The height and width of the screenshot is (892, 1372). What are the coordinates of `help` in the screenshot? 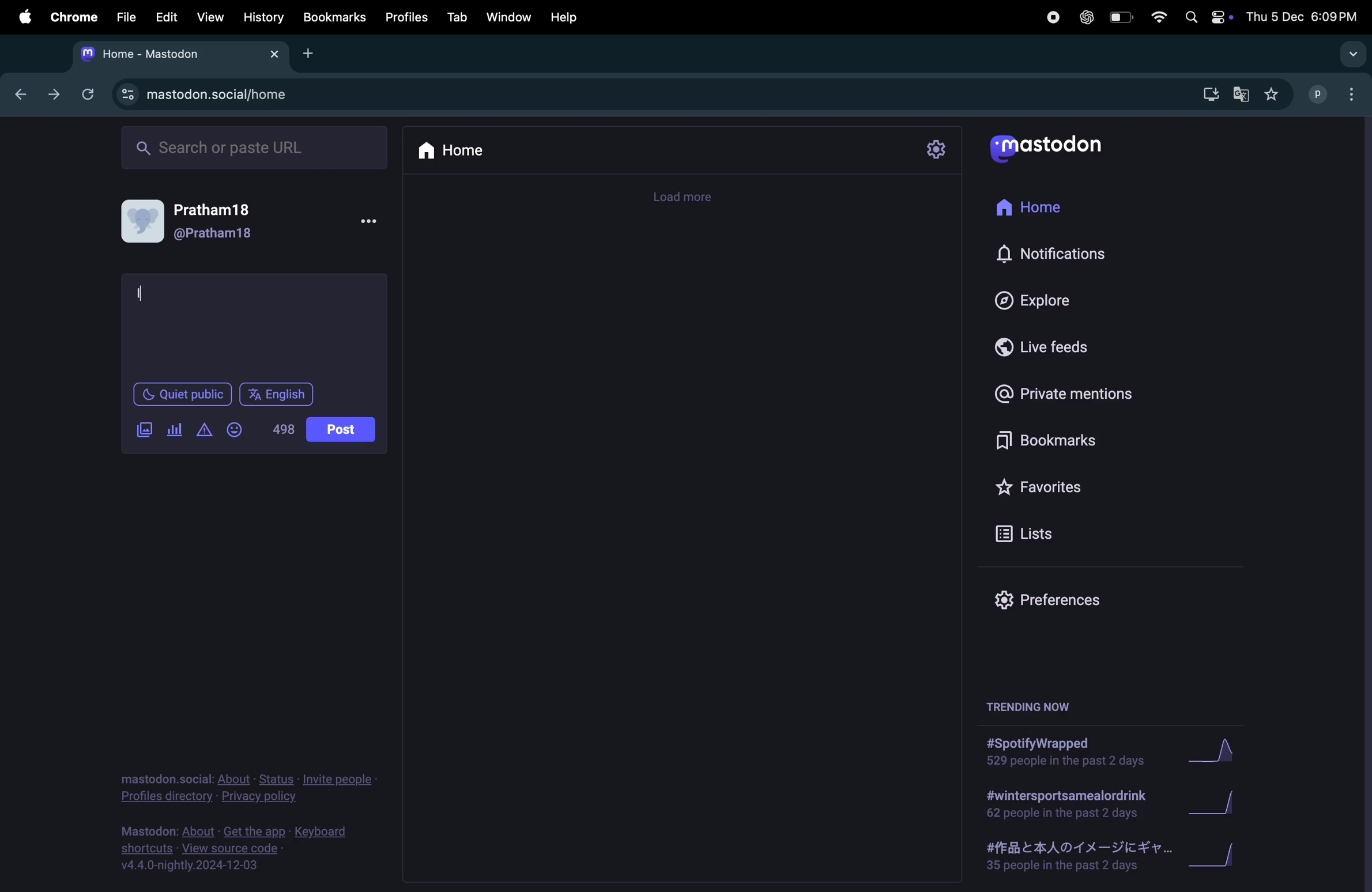 It's located at (568, 17).